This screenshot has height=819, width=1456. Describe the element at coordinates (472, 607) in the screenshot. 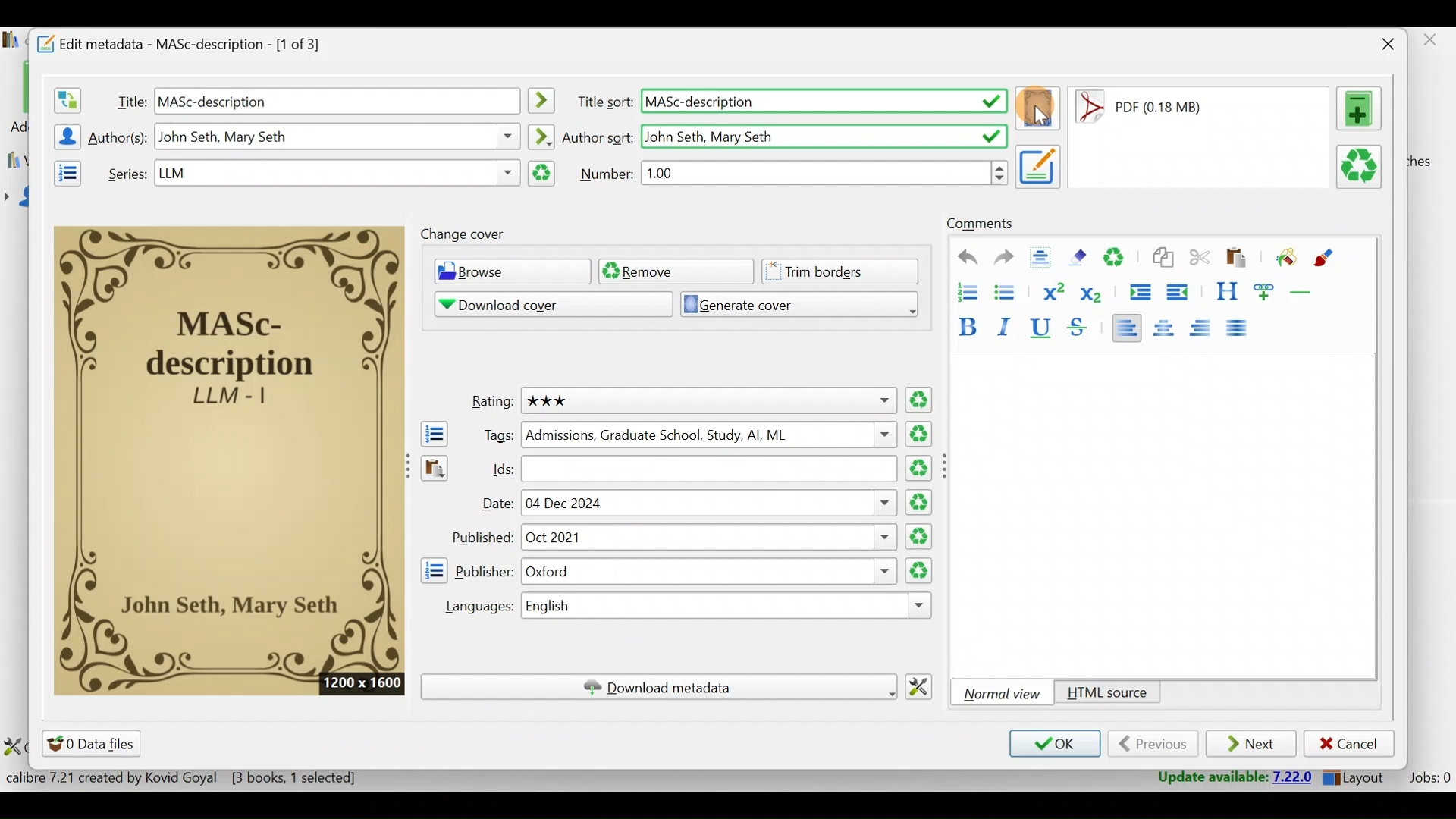

I see `Languages` at that location.